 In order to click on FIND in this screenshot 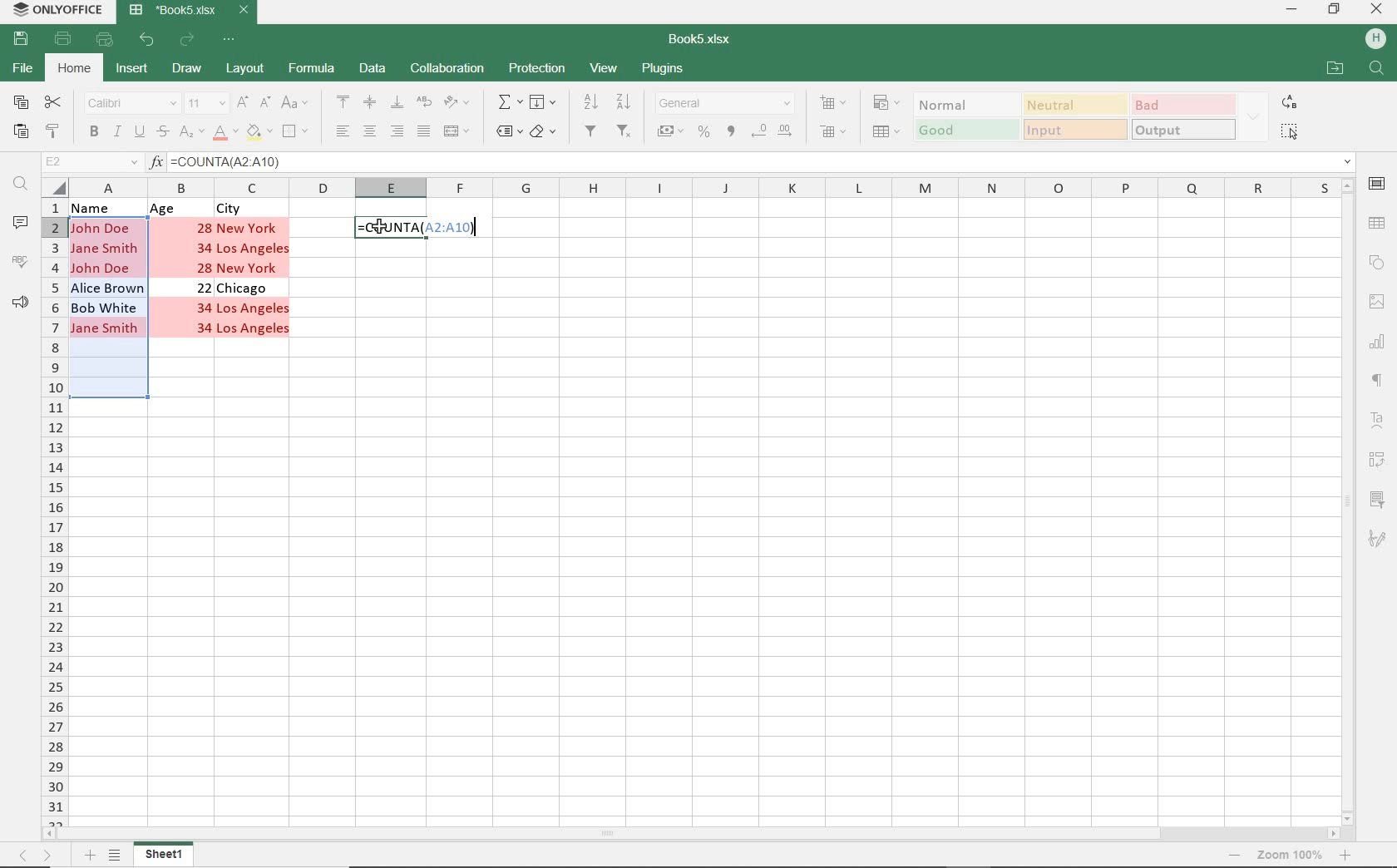, I will do `click(24, 185)`.